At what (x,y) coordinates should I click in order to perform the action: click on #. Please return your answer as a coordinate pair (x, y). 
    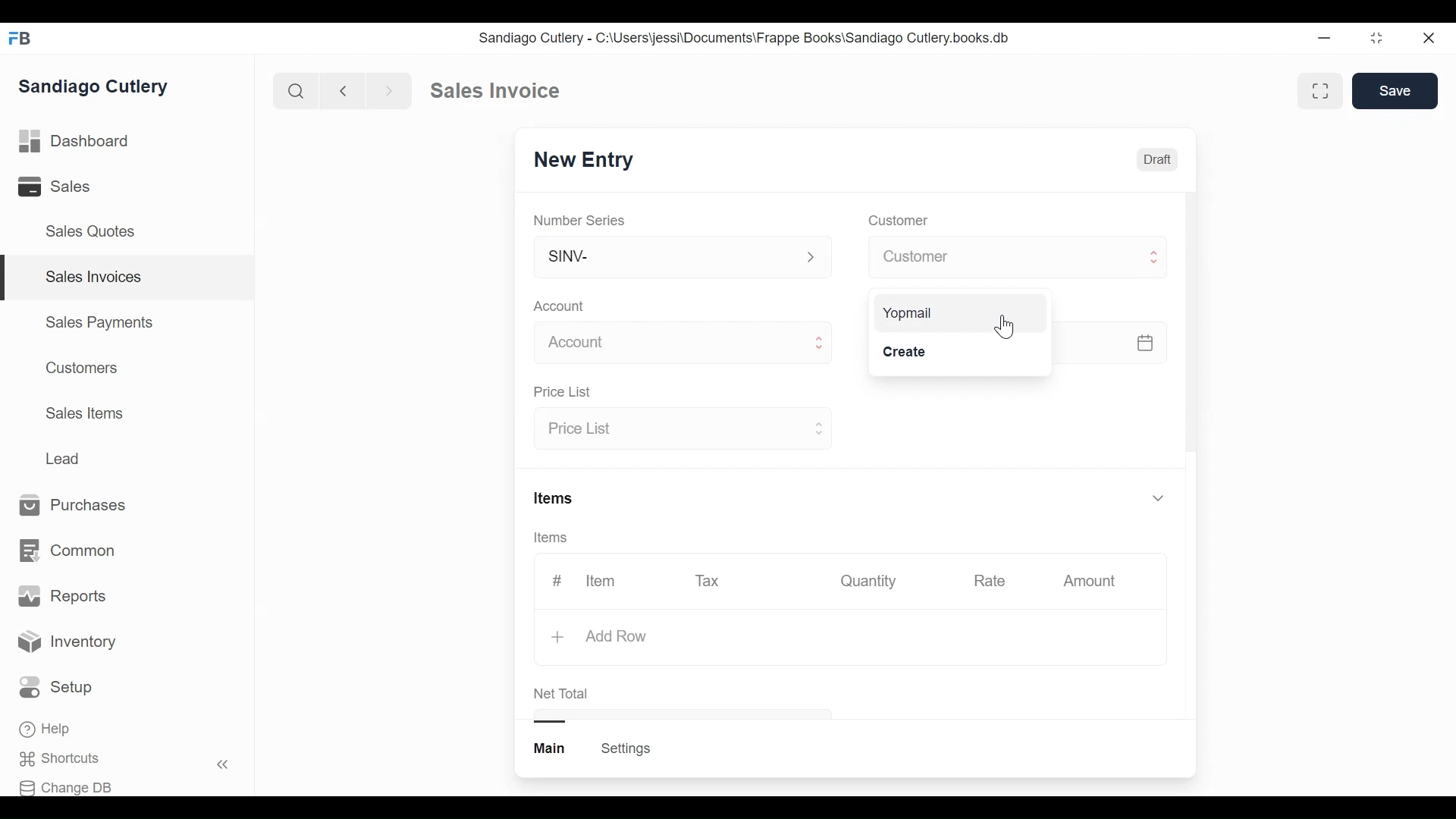
    Looking at the image, I should click on (557, 579).